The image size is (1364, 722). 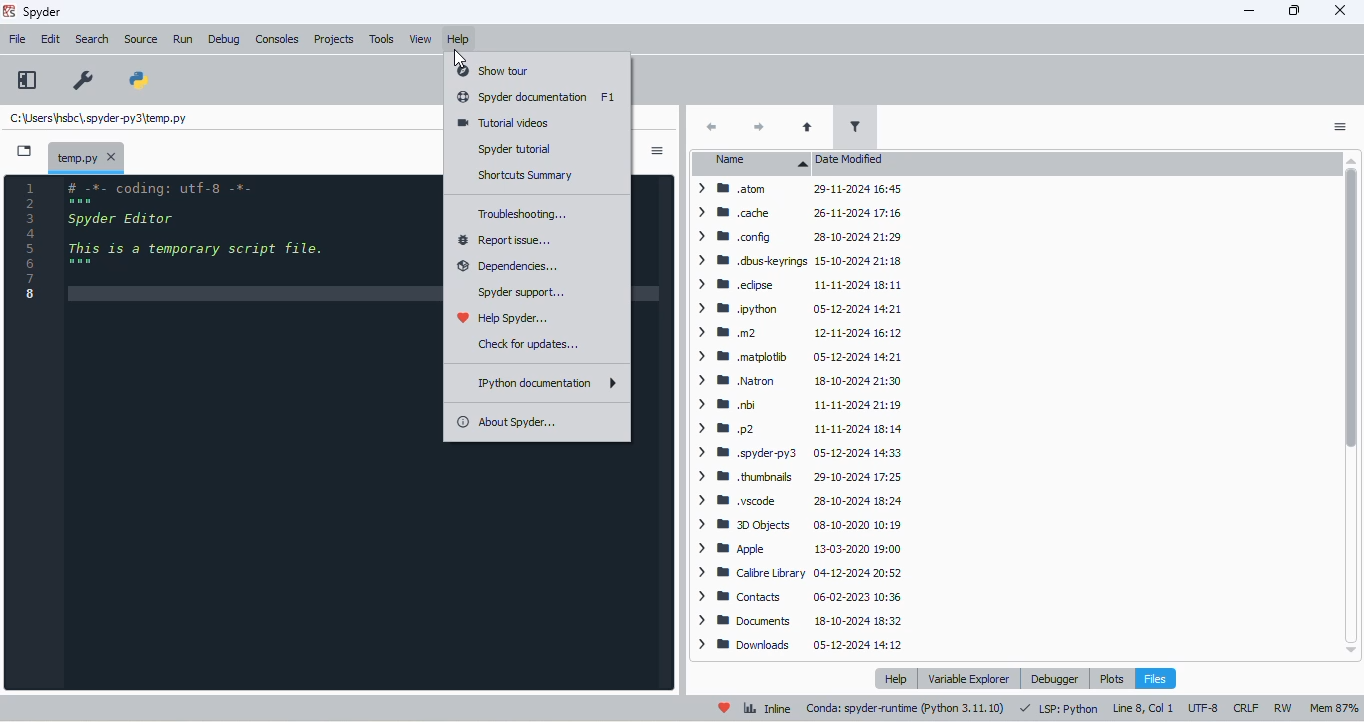 I want to click on temporary file, so click(x=73, y=157).